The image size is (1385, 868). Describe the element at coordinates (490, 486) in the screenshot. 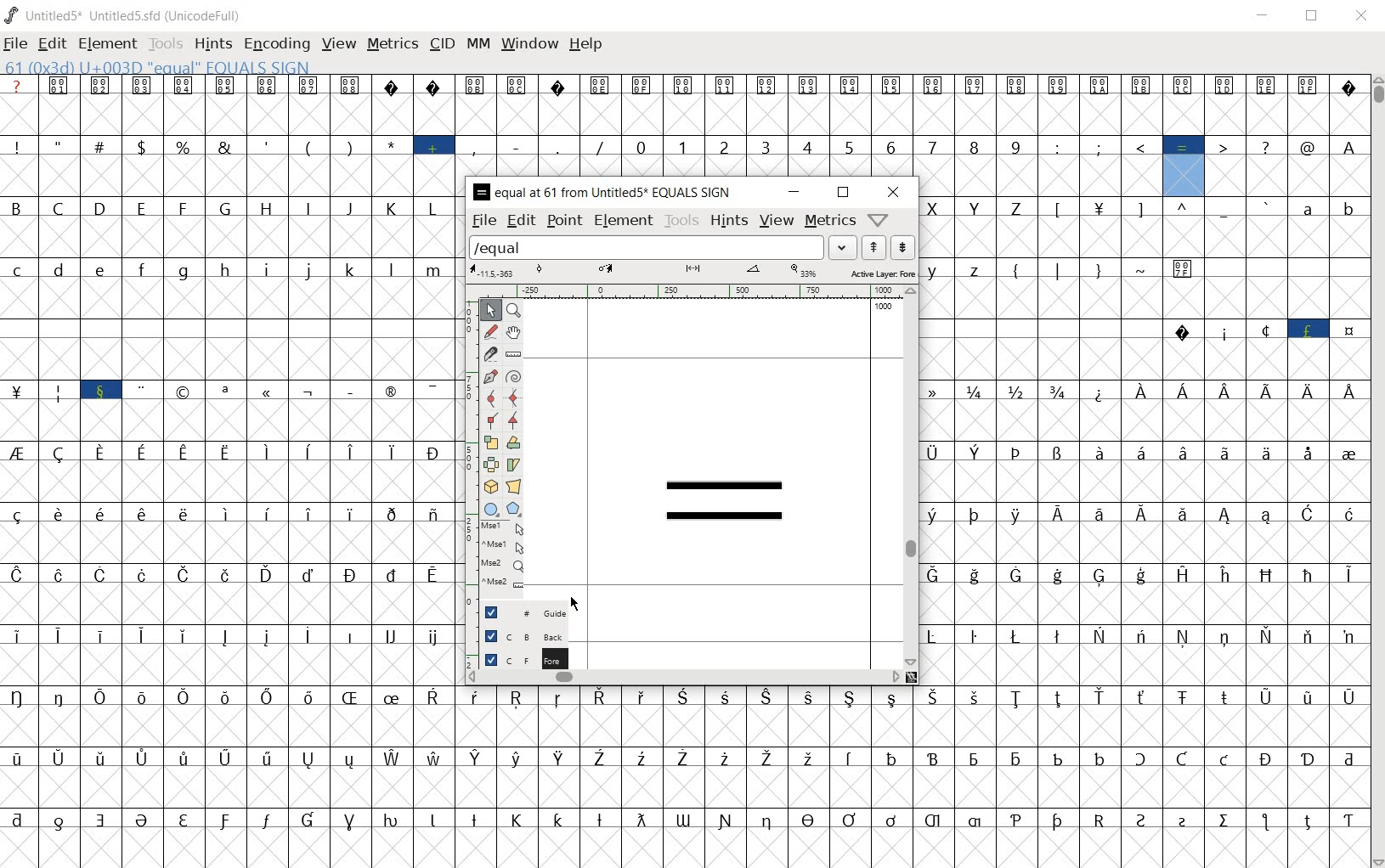

I see `rotate the selection in 3D and project back to plane` at that location.